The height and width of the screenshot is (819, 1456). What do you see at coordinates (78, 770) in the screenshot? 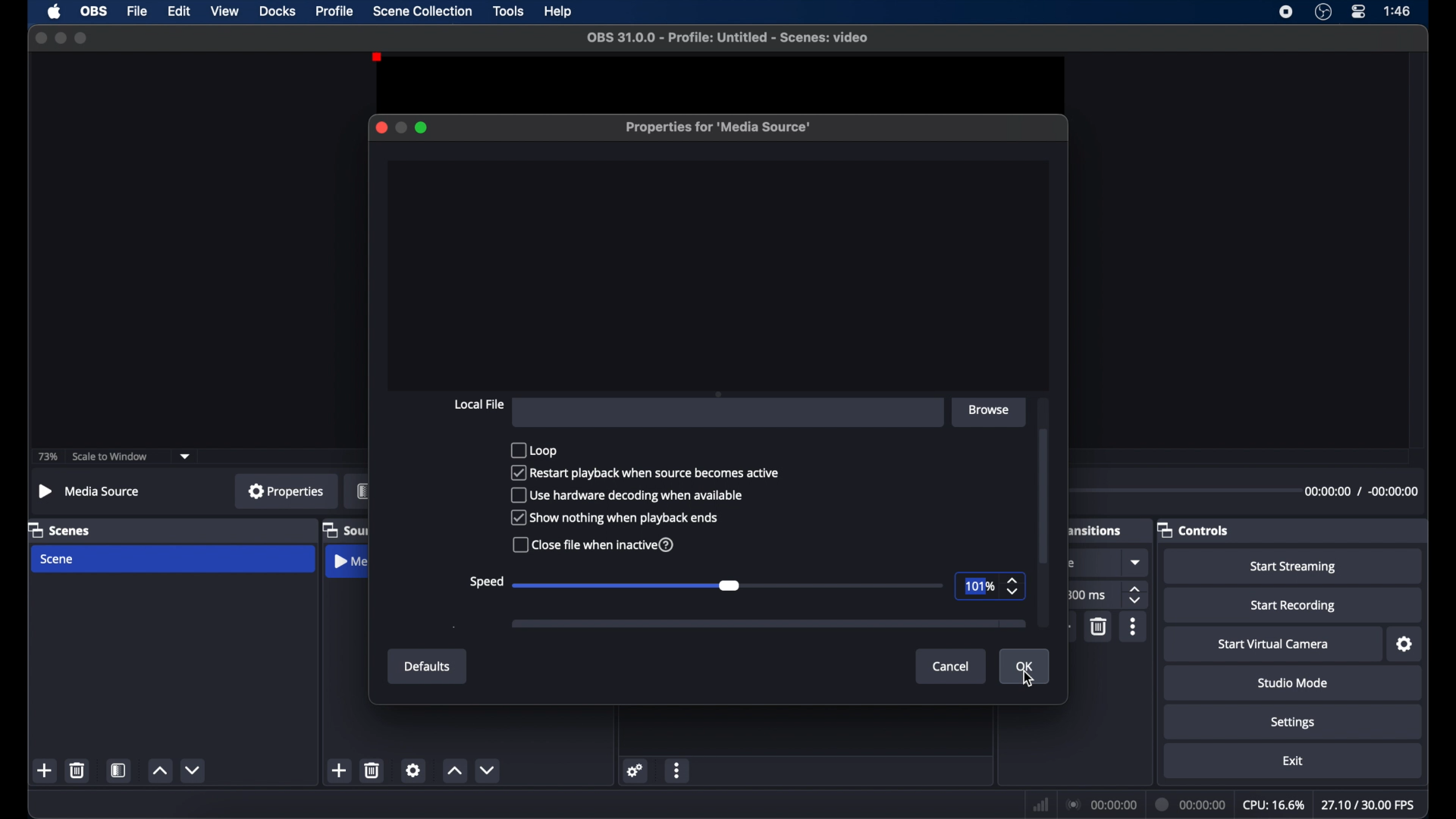
I see `delete` at bounding box center [78, 770].